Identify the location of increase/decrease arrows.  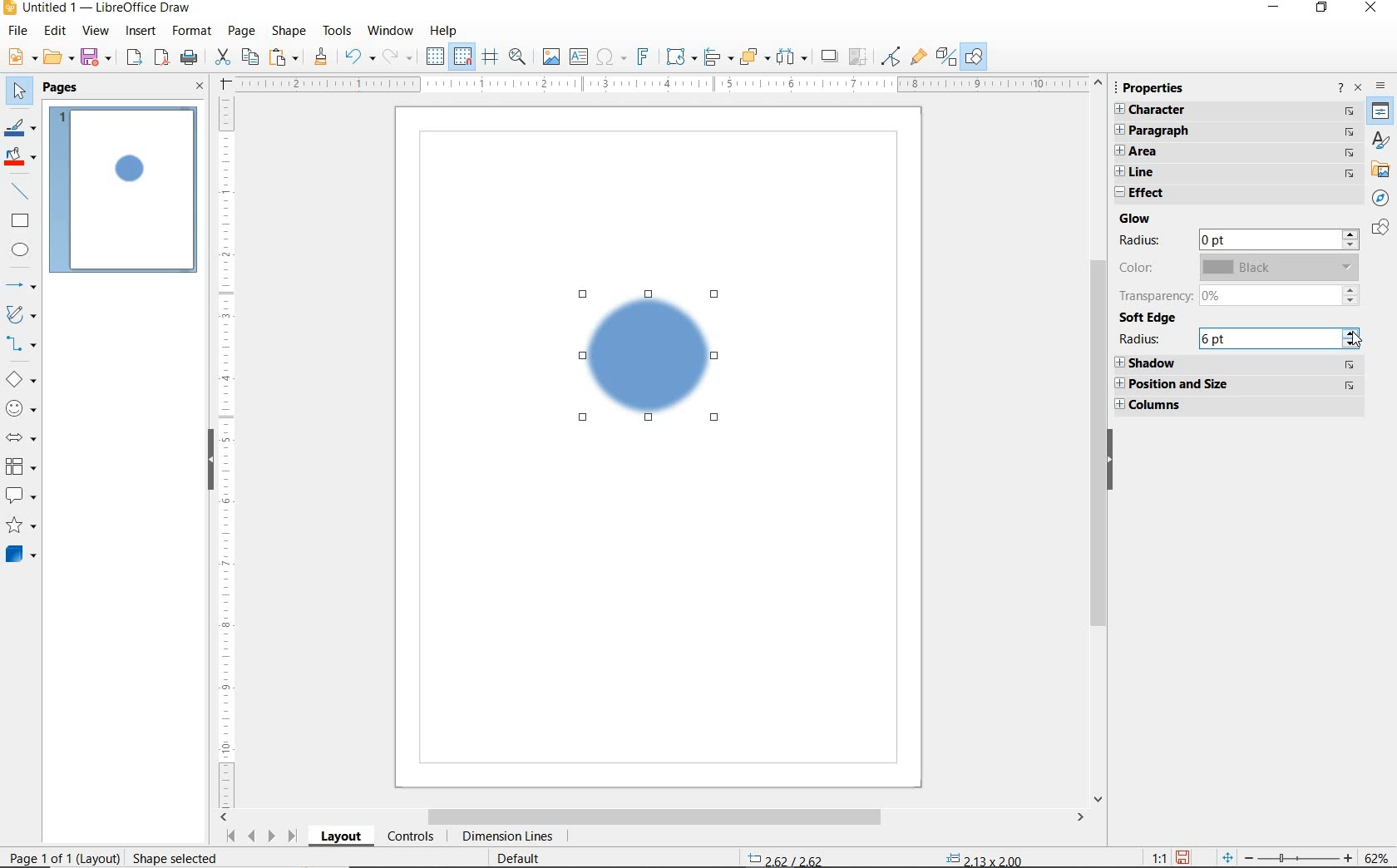
(1354, 337).